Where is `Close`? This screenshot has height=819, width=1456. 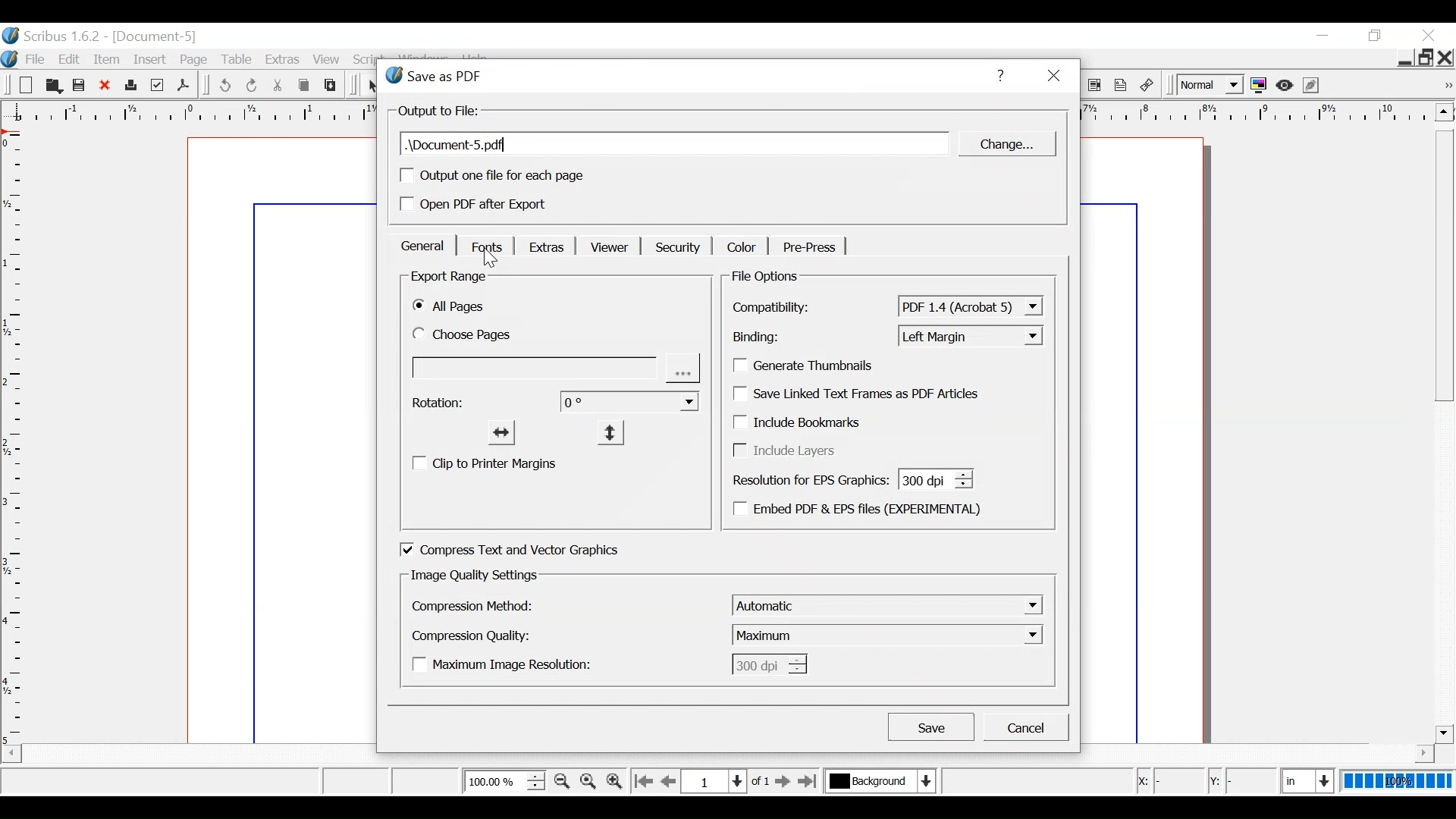 Close is located at coordinates (1428, 35).